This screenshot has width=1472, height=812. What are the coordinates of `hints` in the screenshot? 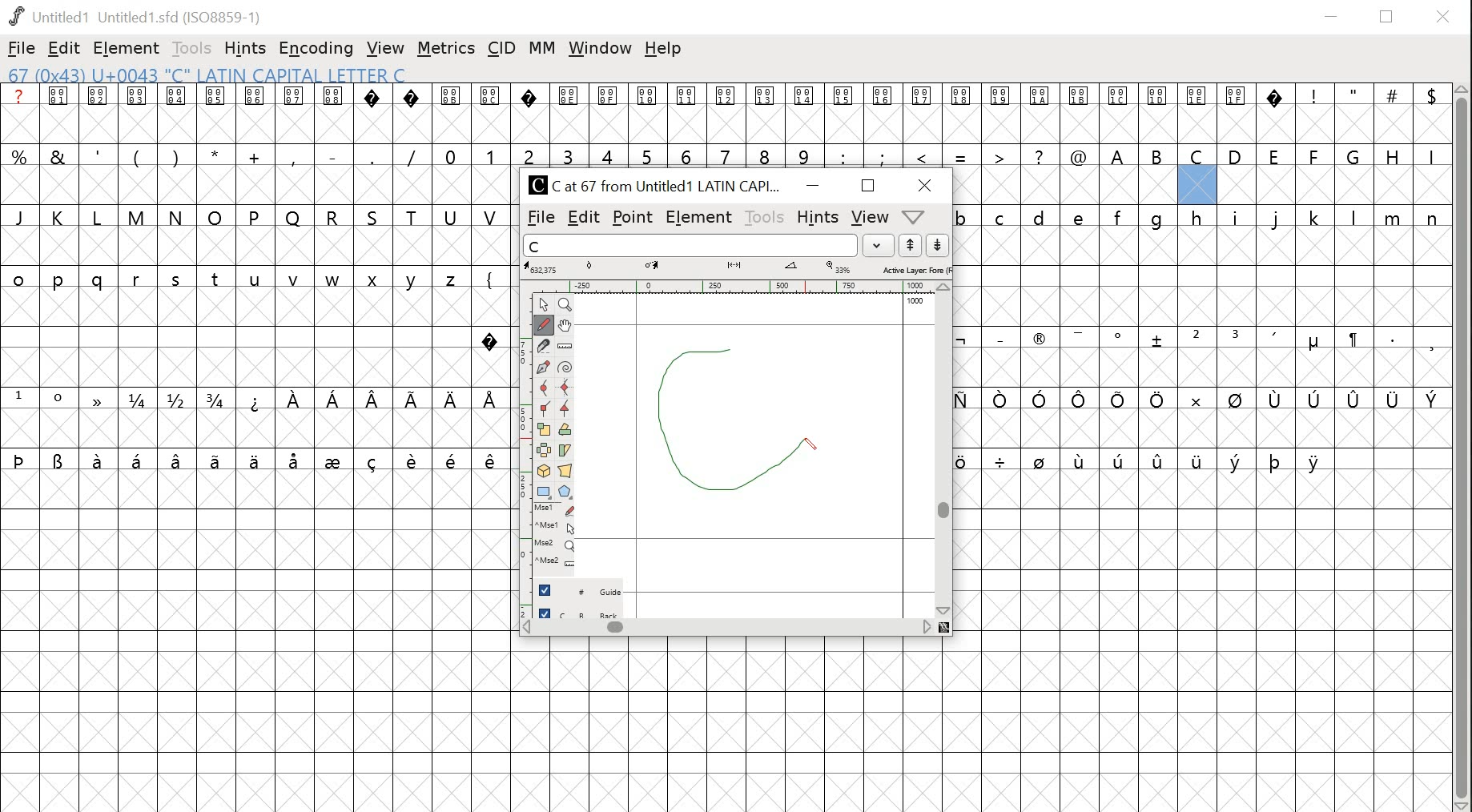 It's located at (816, 217).